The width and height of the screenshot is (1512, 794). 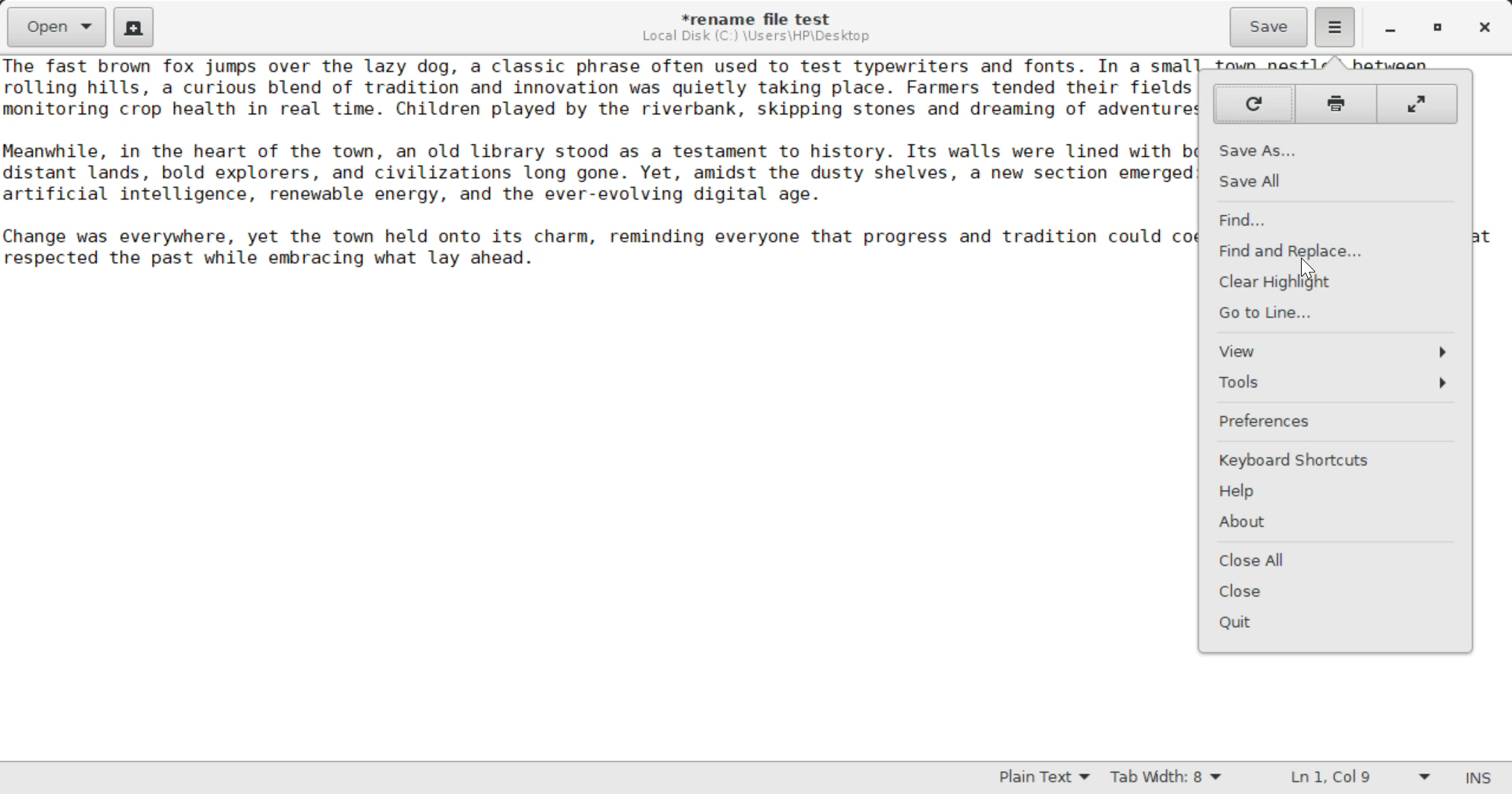 I want to click on Input Mode, so click(x=1482, y=776).